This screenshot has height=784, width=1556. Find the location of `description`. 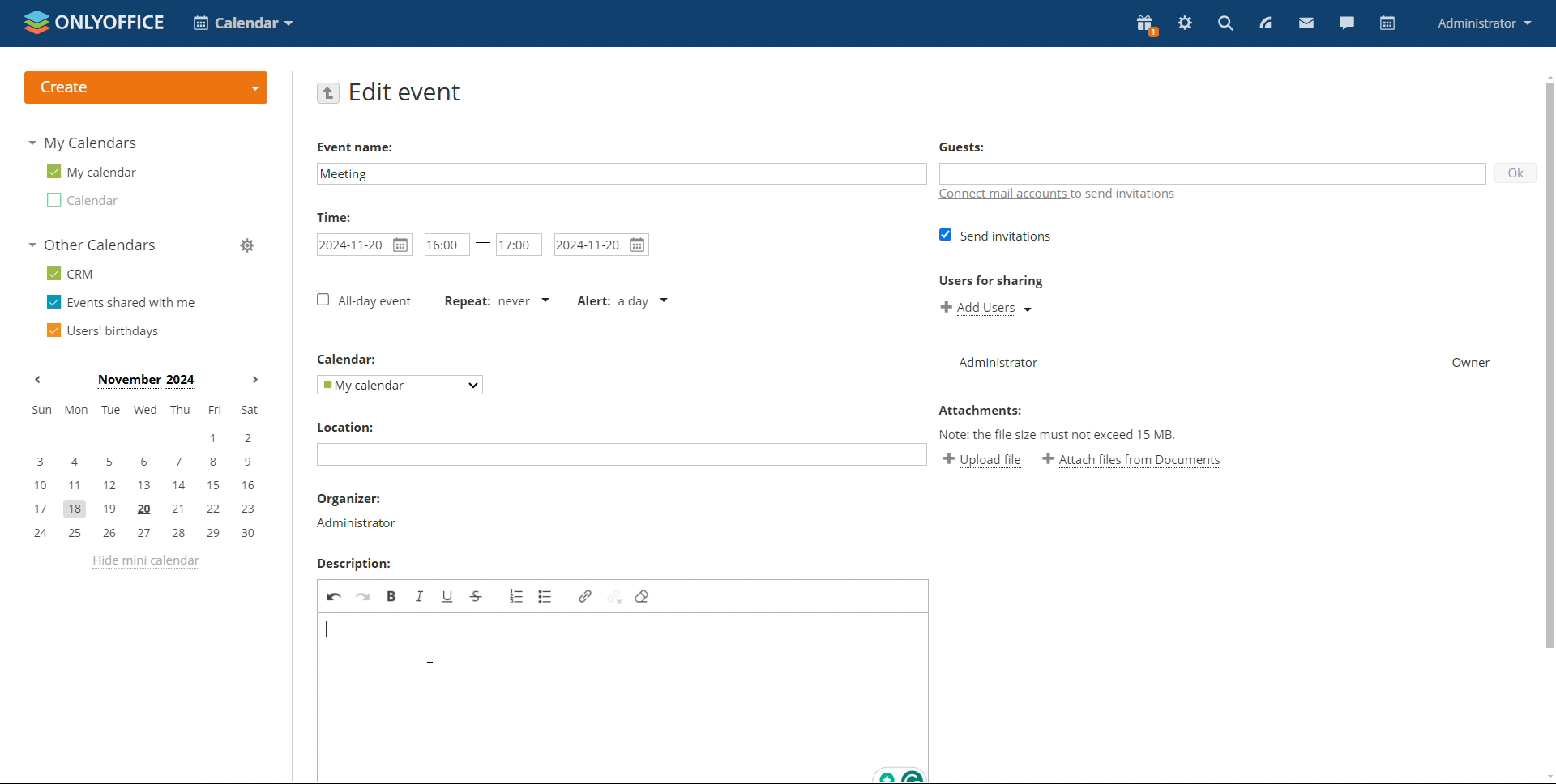

description is located at coordinates (353, 564).